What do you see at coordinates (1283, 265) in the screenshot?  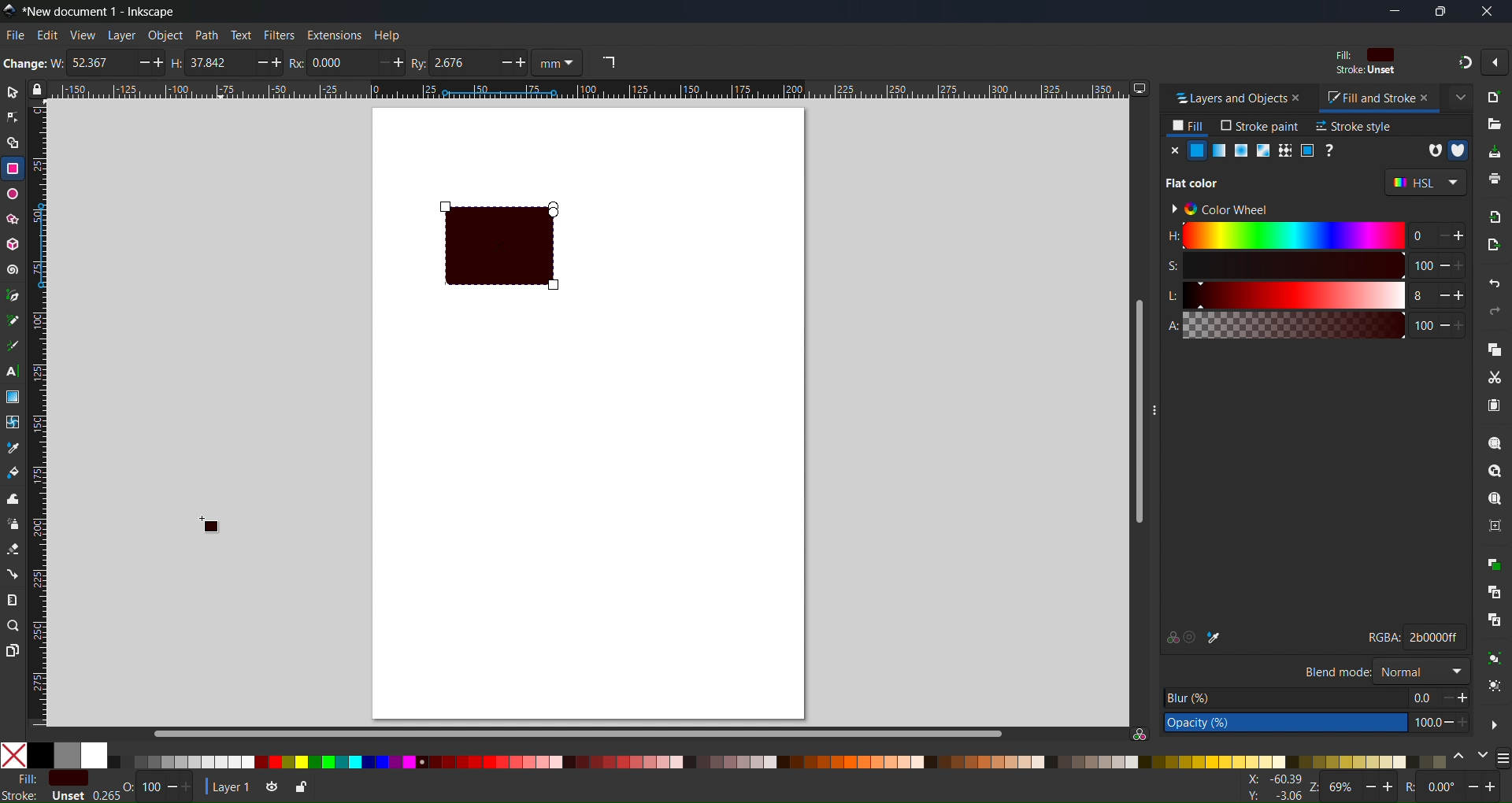 I see `Saturation` at bounding box center [1283, 265].